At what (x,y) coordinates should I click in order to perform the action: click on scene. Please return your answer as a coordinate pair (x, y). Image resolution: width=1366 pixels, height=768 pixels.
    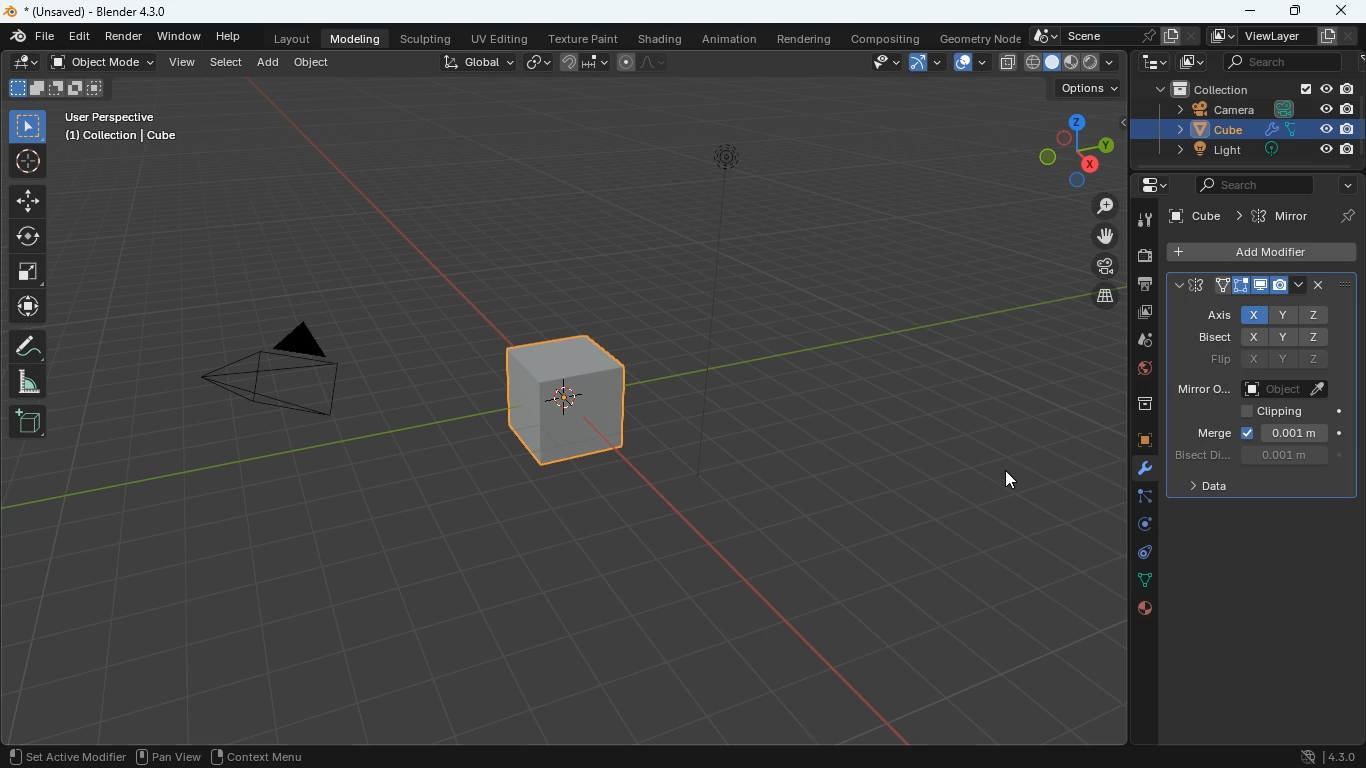
    Looking at the image, I should click on (1114, 35).